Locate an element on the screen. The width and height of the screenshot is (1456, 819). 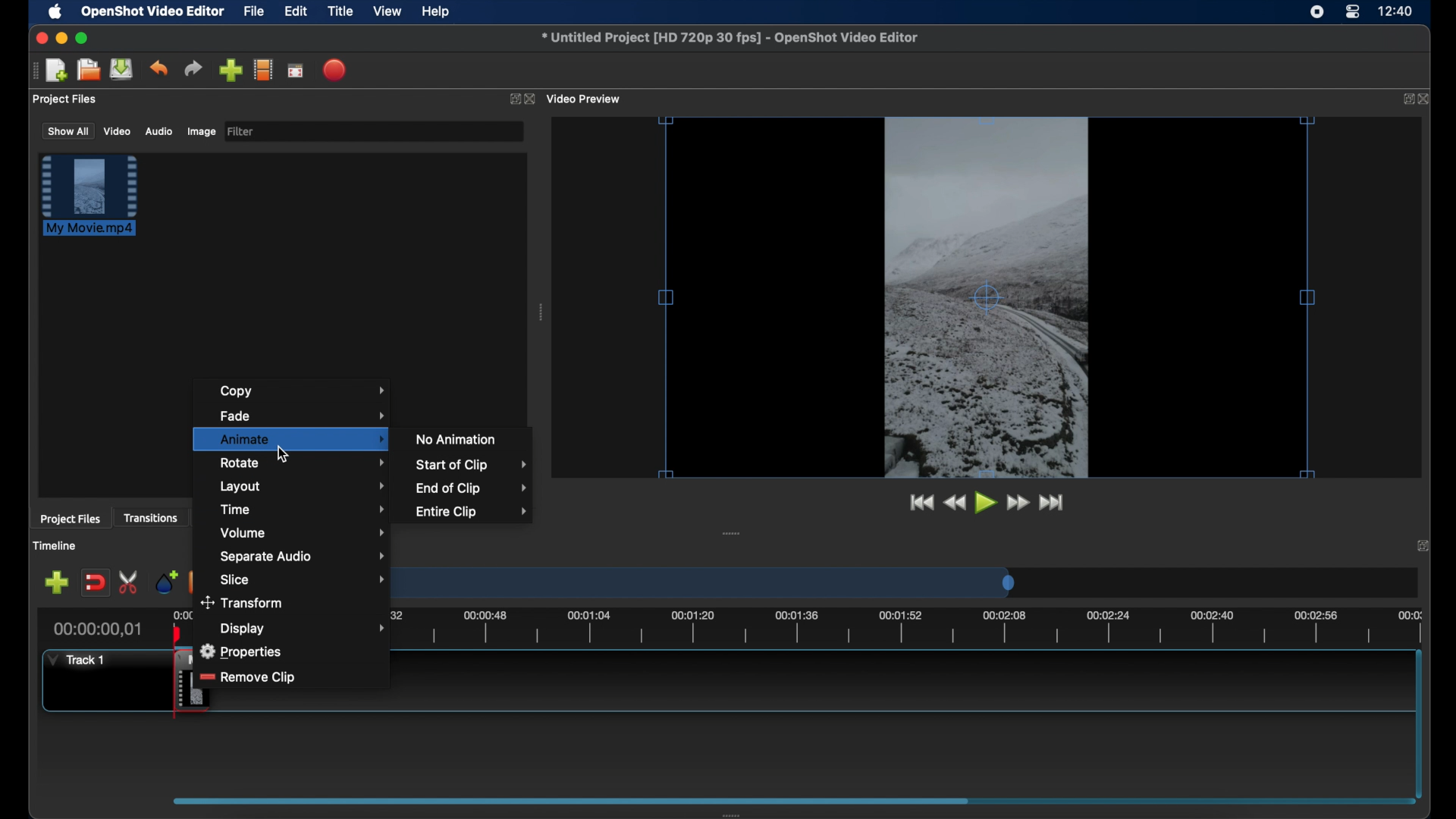
explore profiles is located at coordinates (262, 69).